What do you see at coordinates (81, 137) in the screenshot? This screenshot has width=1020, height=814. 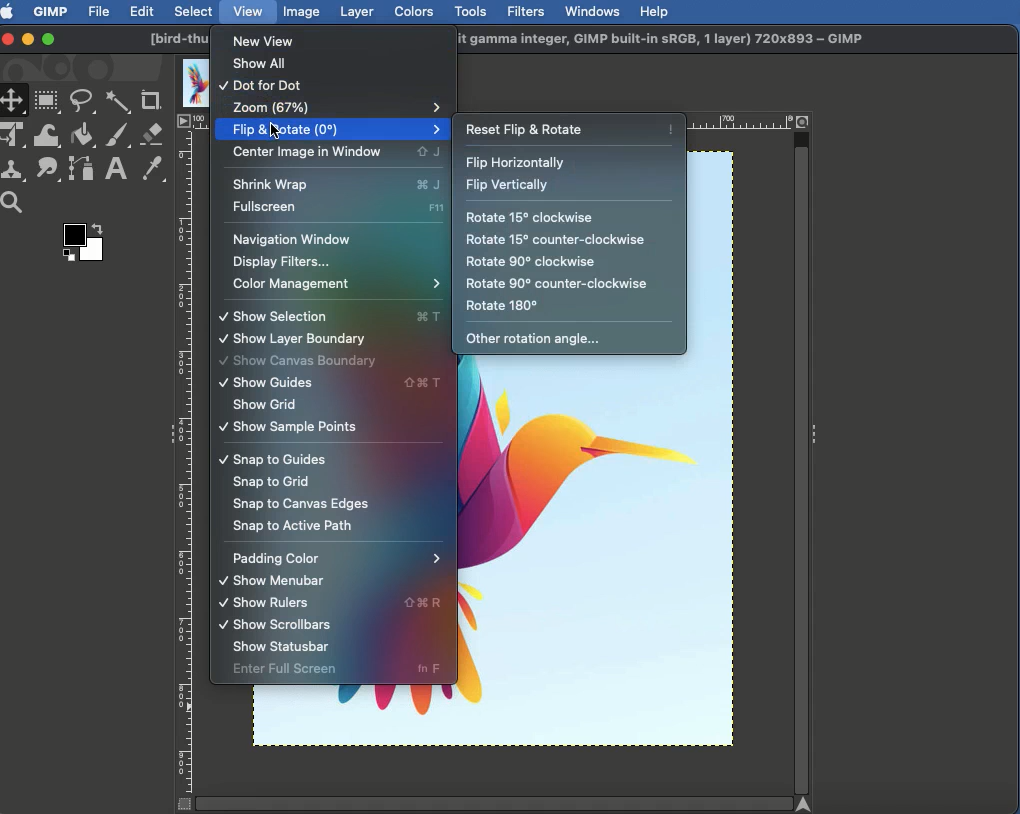 I see `Fill color` at bounding box center [81, 137].